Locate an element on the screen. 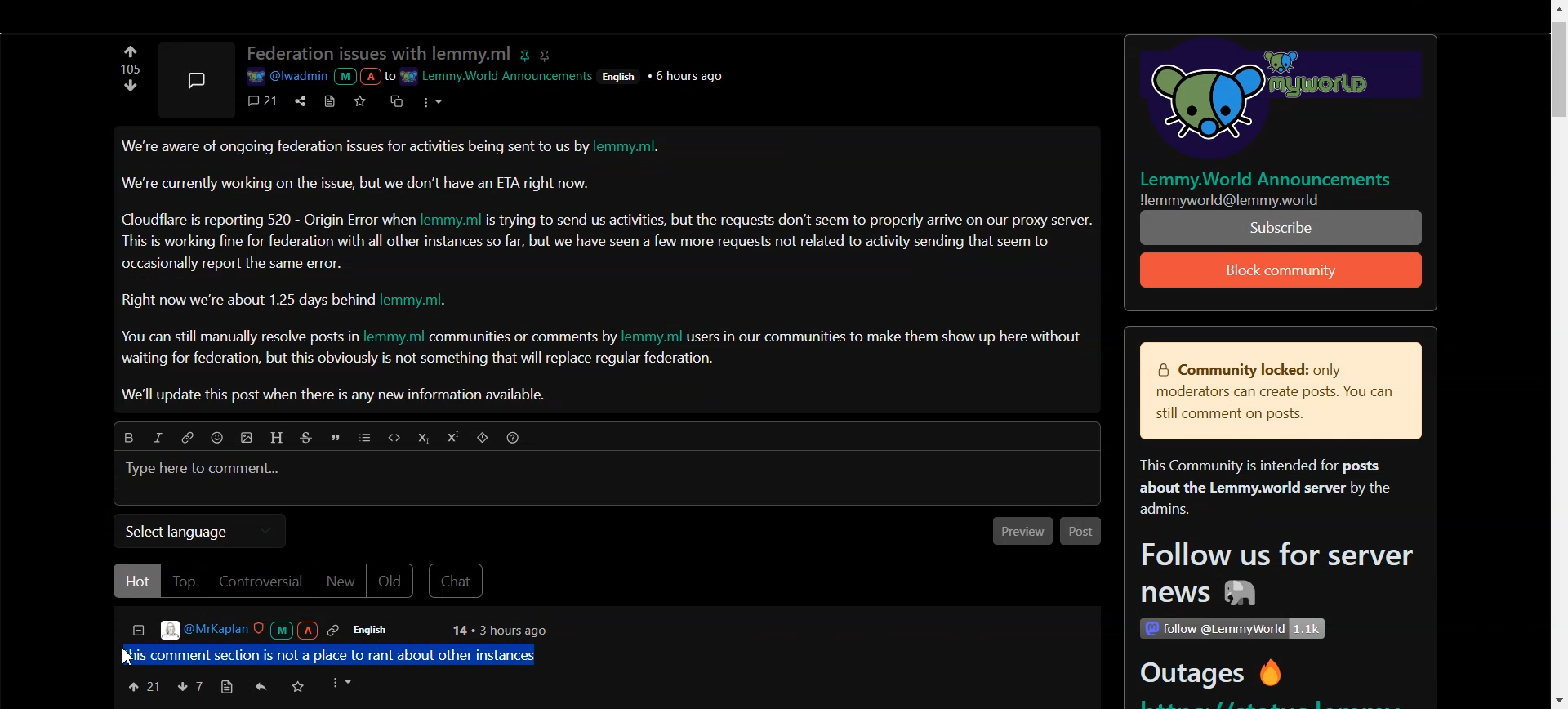  Federation issues with lemmy.ml is located at coordinates (379, 54).